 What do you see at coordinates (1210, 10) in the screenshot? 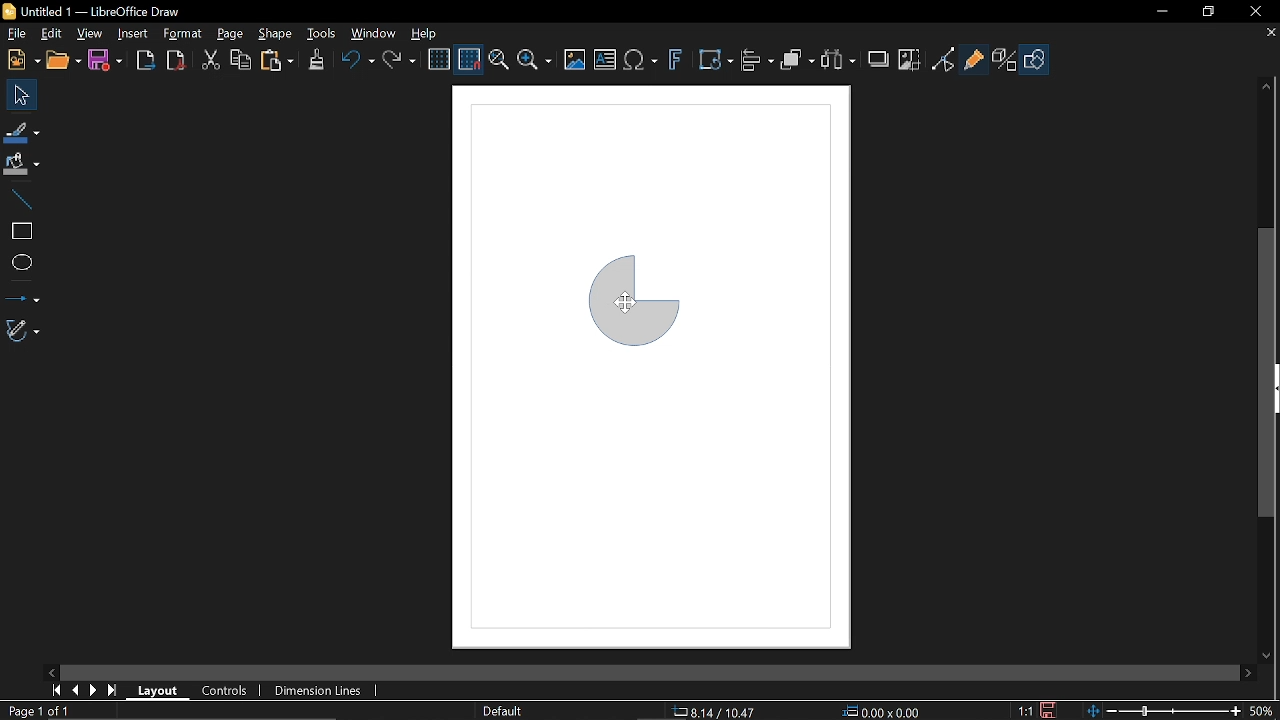
I see `restore down` at bounding box center [1210, 10].